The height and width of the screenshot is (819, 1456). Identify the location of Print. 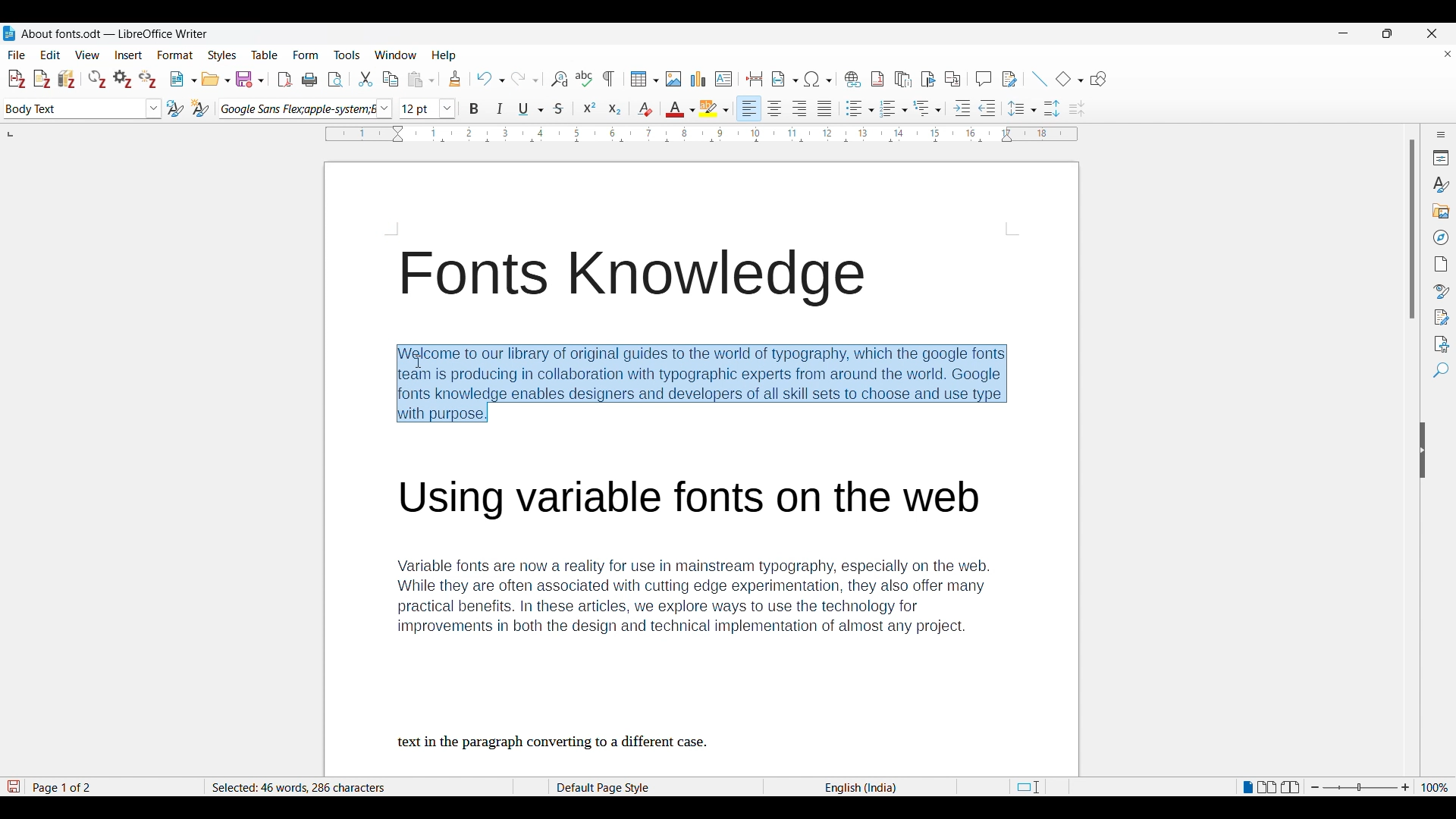
(309, 80).